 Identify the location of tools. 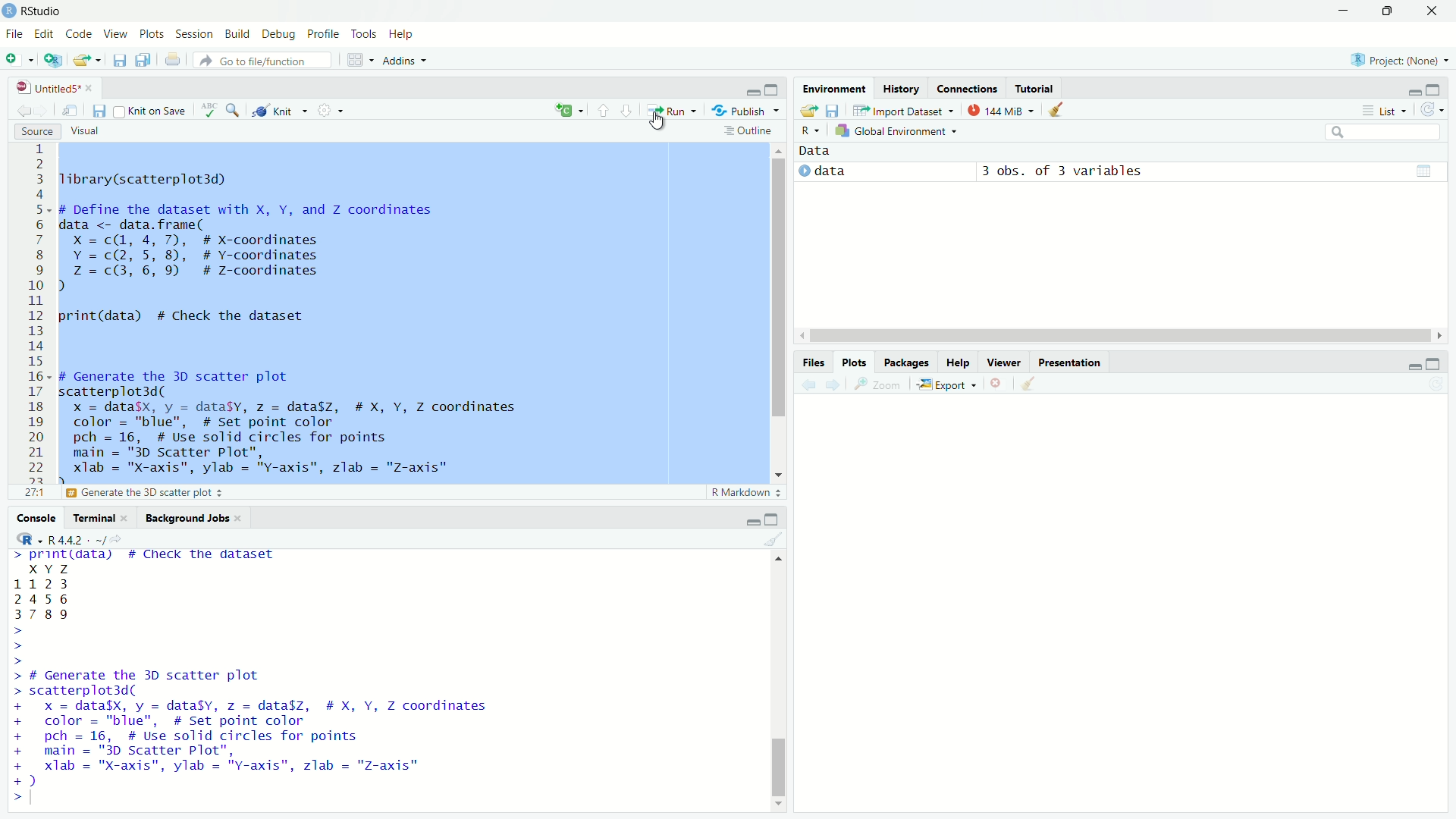
(364, 33).